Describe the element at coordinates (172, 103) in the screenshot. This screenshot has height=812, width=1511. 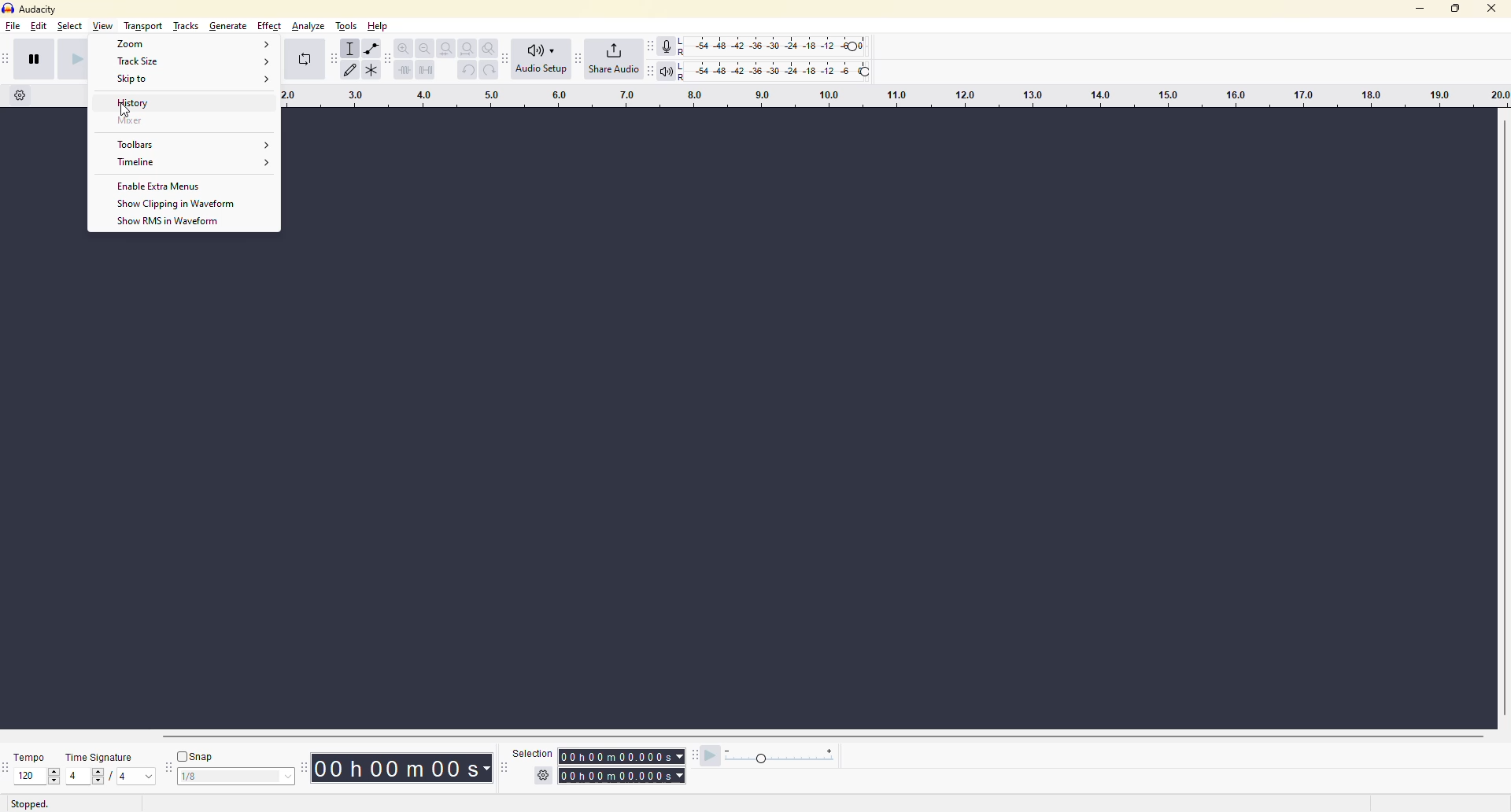
I see `history` at that location.